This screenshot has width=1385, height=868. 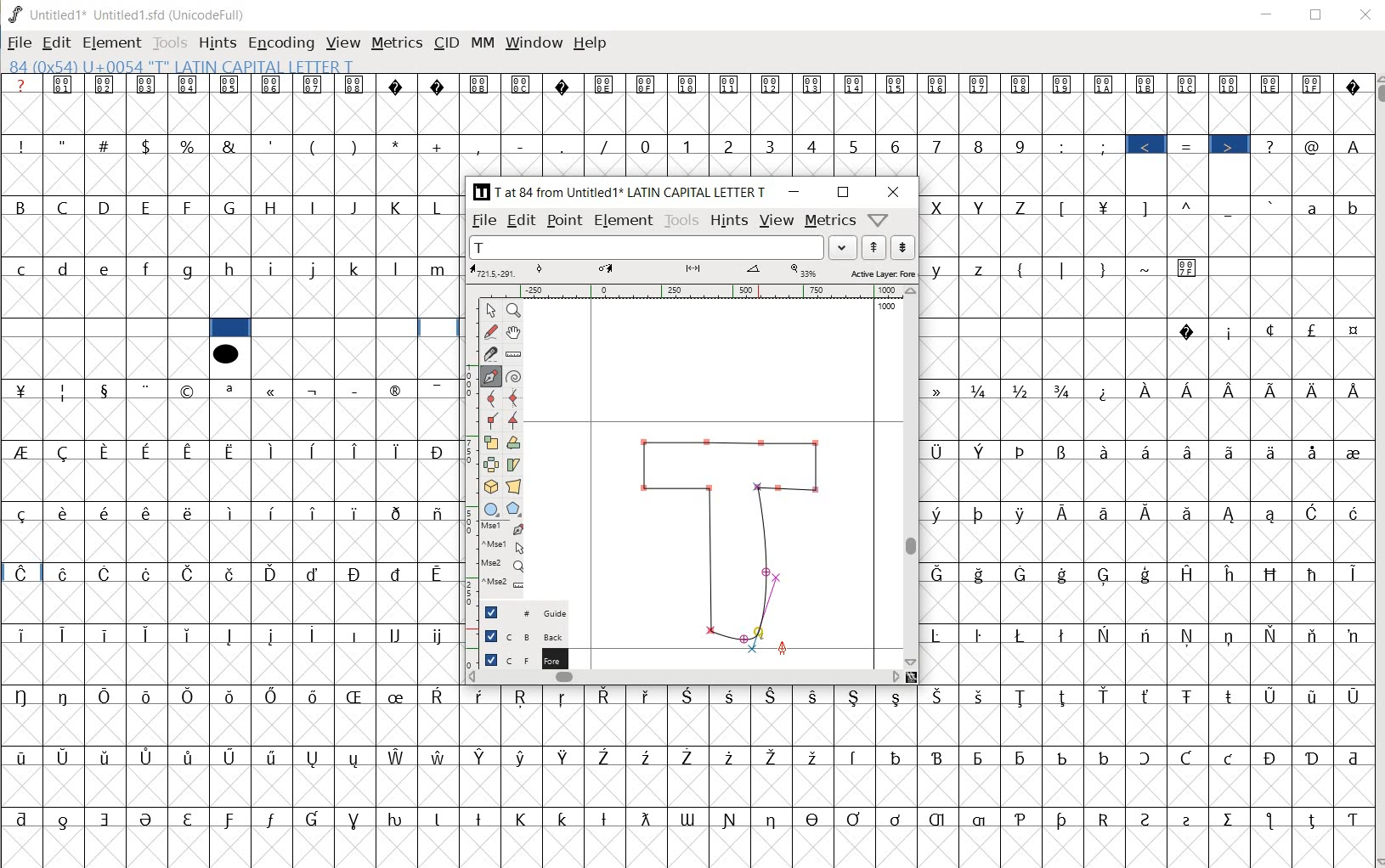 I want to click on Symbol, so click(x=942, y=513).